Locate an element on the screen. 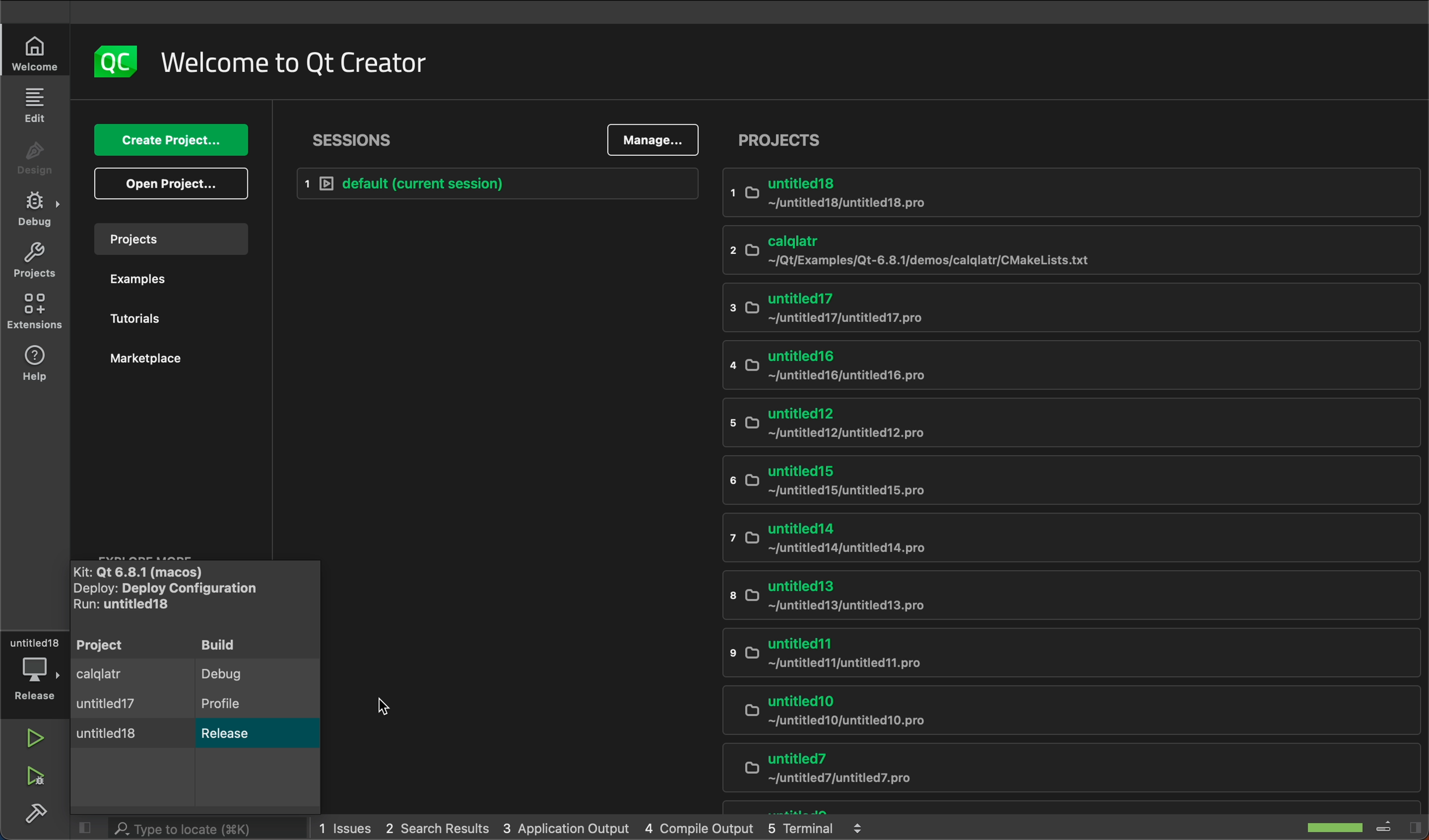 The image size is (1429, 840). marketplace is located at coordinates (163, 368).